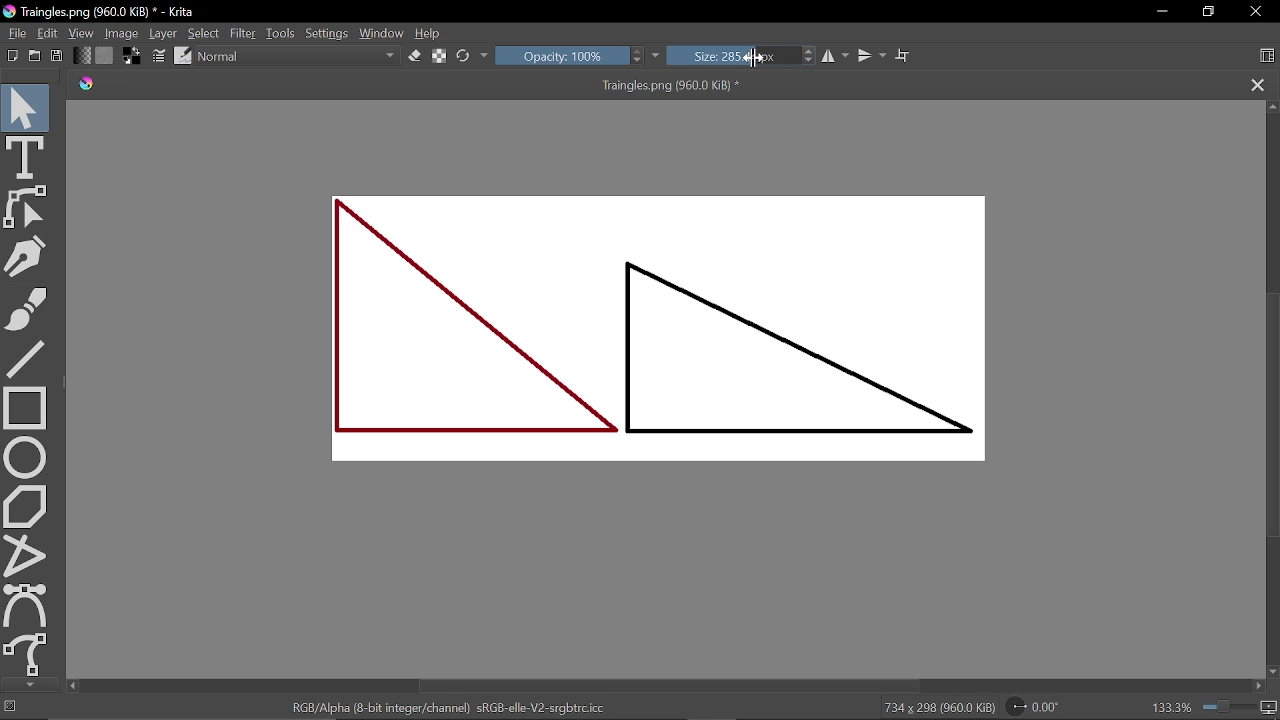 The image size is (1280, 720). I want to click on File, so click(15, 33).